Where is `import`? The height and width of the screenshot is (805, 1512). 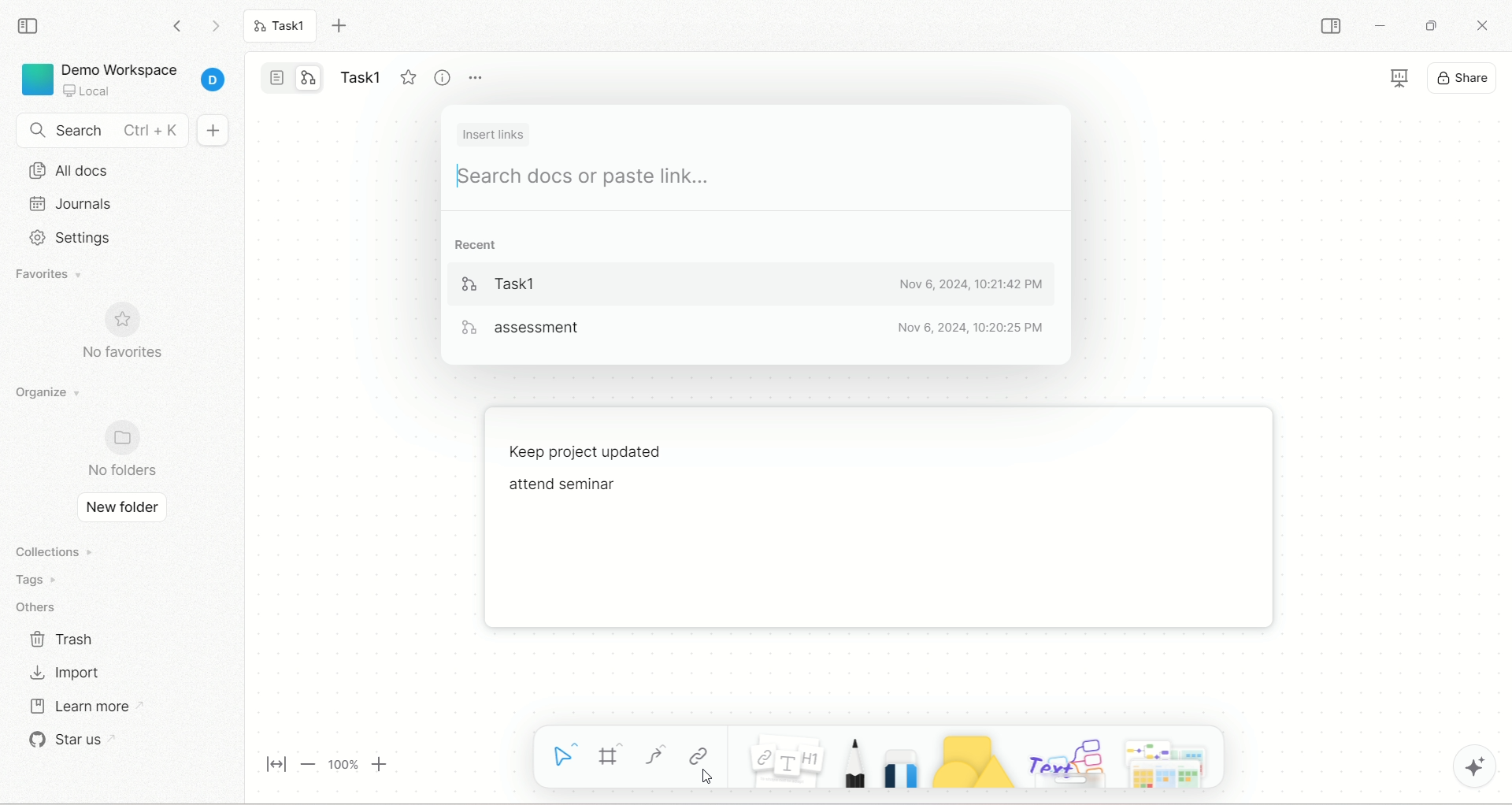 import is located at coordinates (65, 673).